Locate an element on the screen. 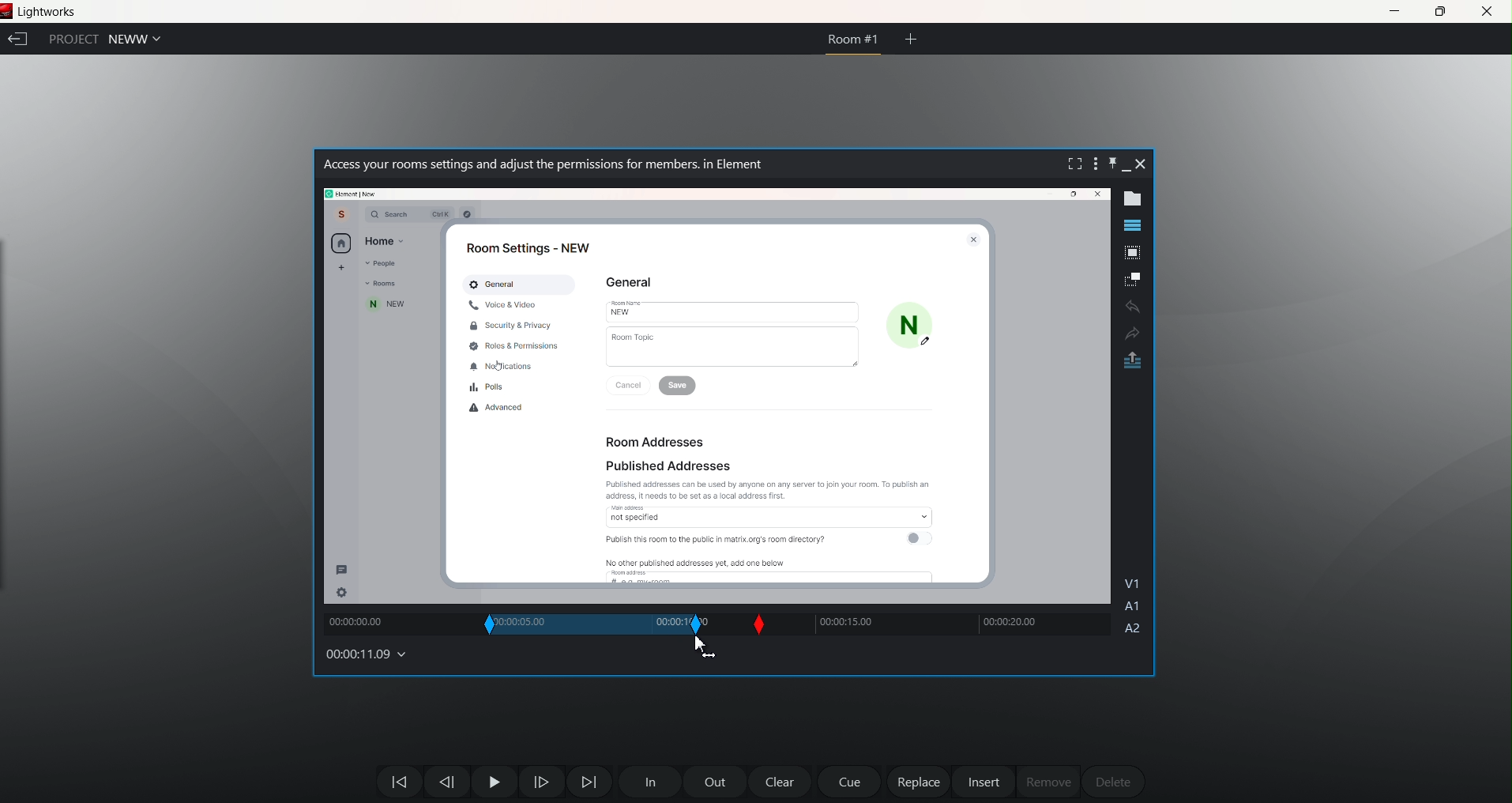 The height and width of the screenshot is (803, 1512). out is located at coordinates (715, 780).